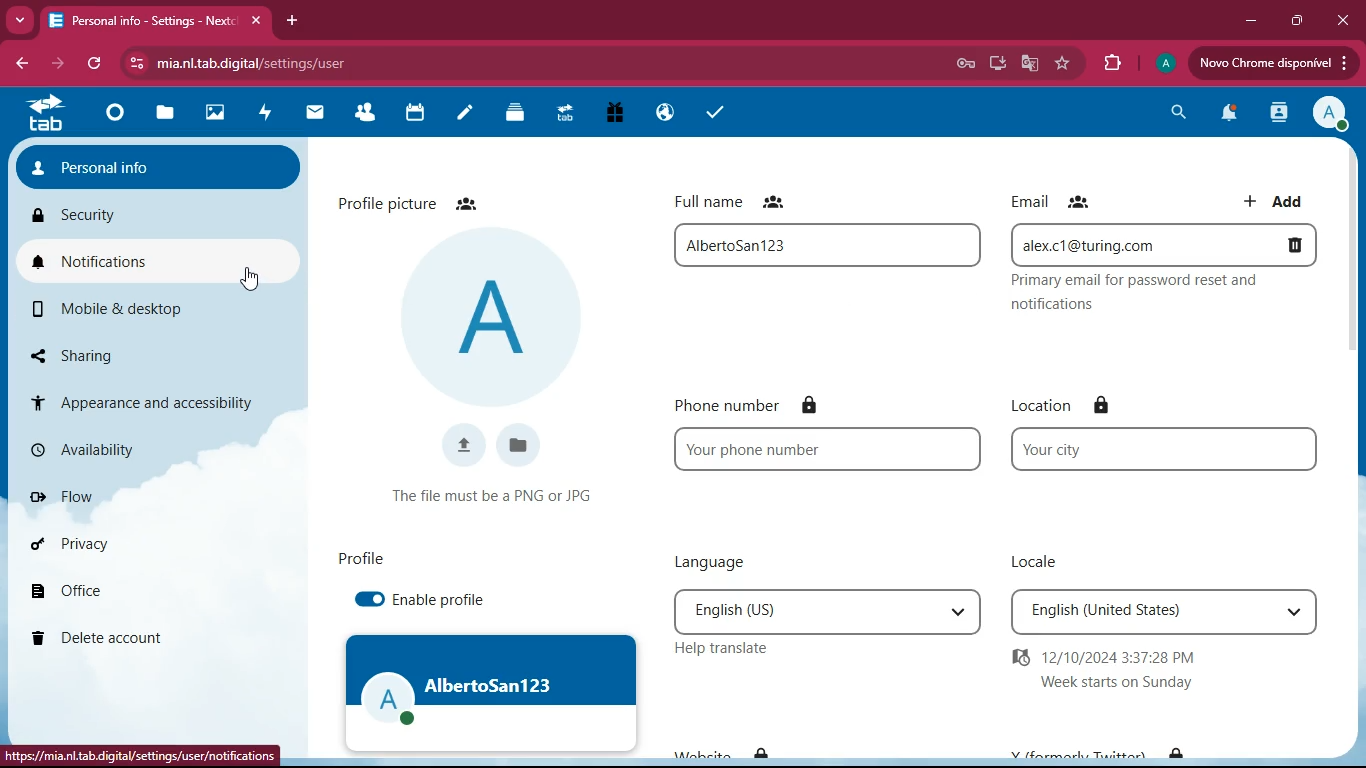 The width and height of the screenshot is (1366, 768). I want to click on email, so click(1060, 200).